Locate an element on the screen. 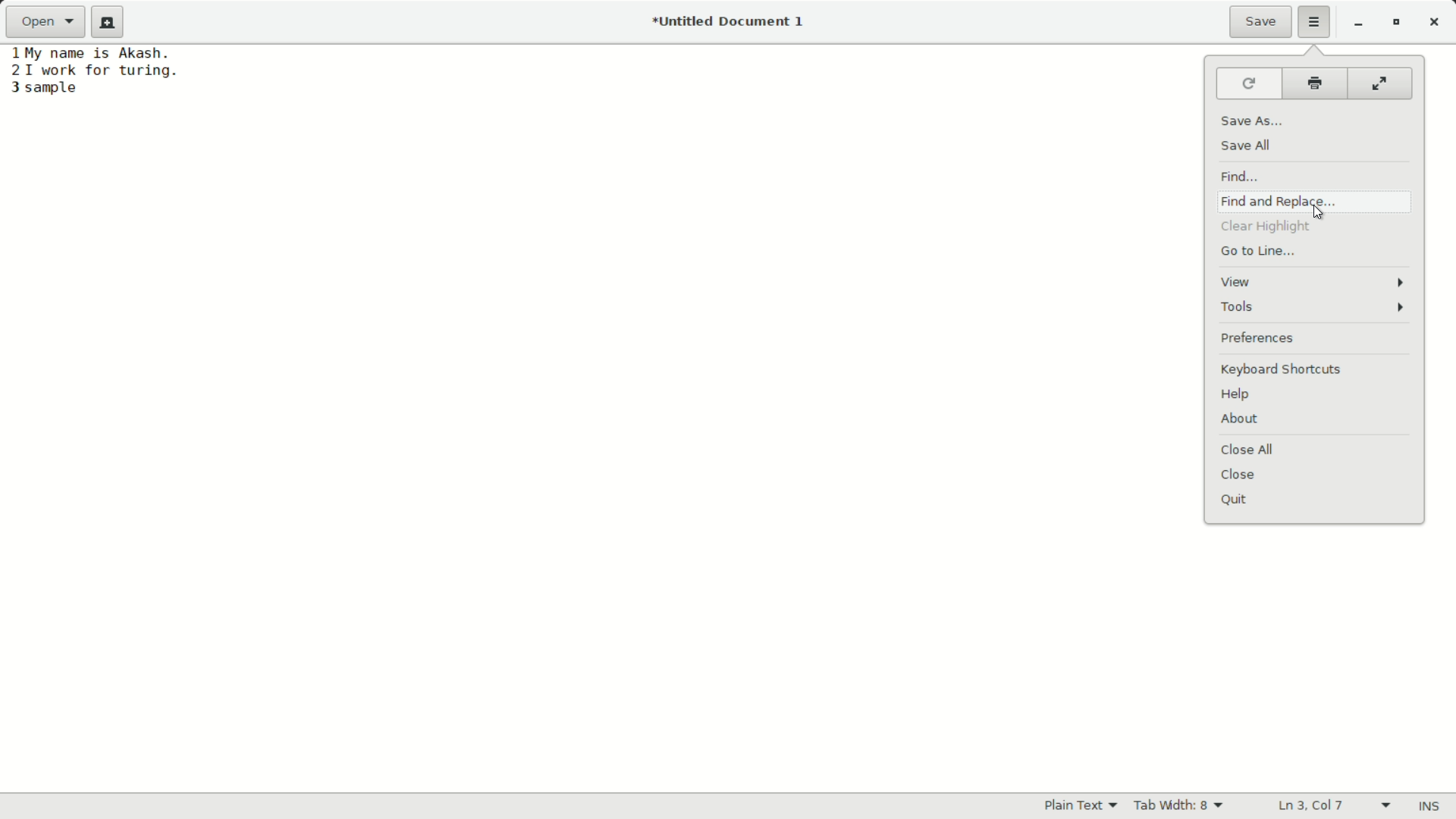 This screenshot has height=819, width=1456. lines and columns is located at coordinates (1332, 806).